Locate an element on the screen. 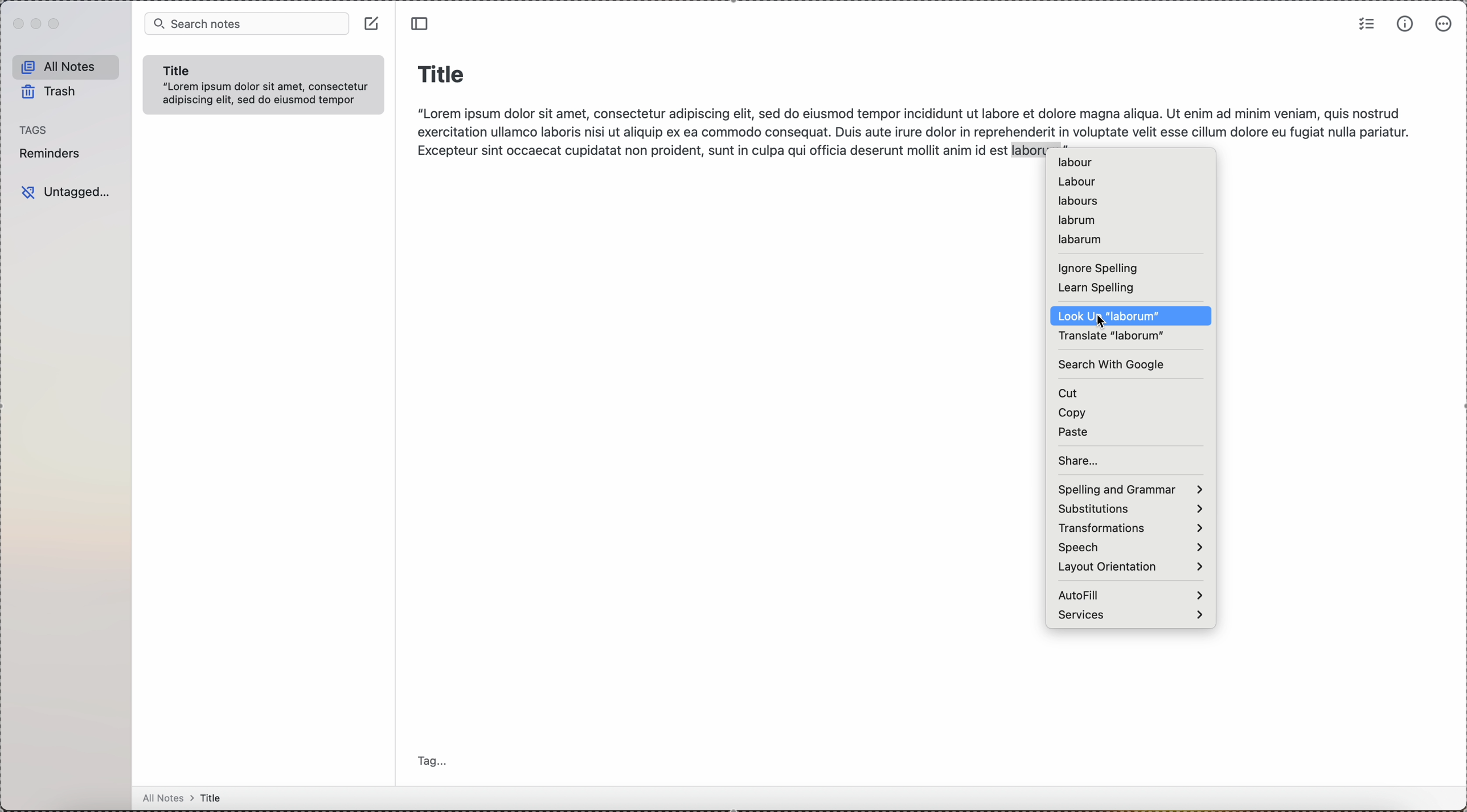 This screenshot has height=812, width=1467. body text is located at coordinates (909, 128).